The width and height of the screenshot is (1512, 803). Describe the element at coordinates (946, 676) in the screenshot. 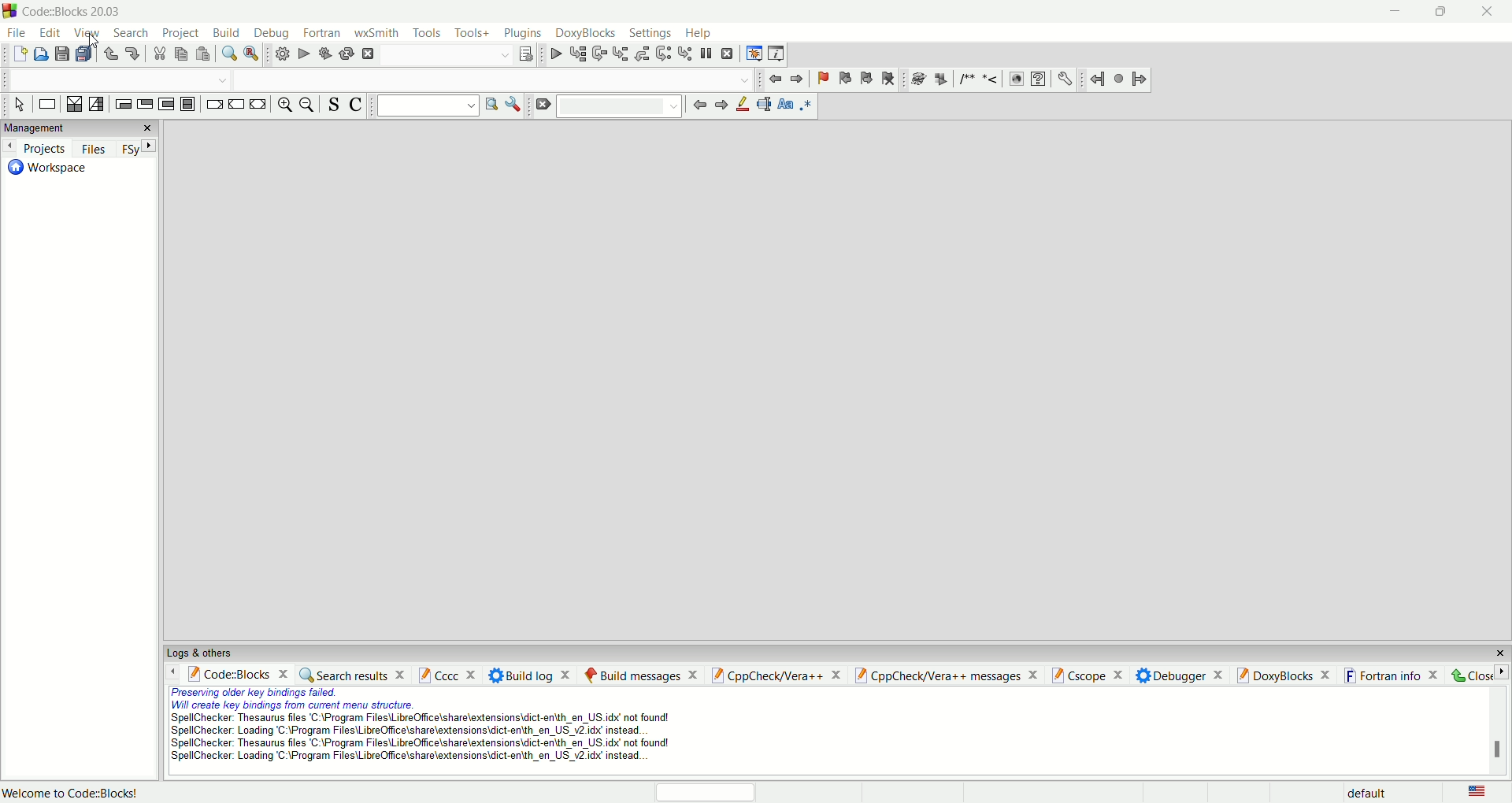

I see `Cppcheck/vera++ message` at that location.